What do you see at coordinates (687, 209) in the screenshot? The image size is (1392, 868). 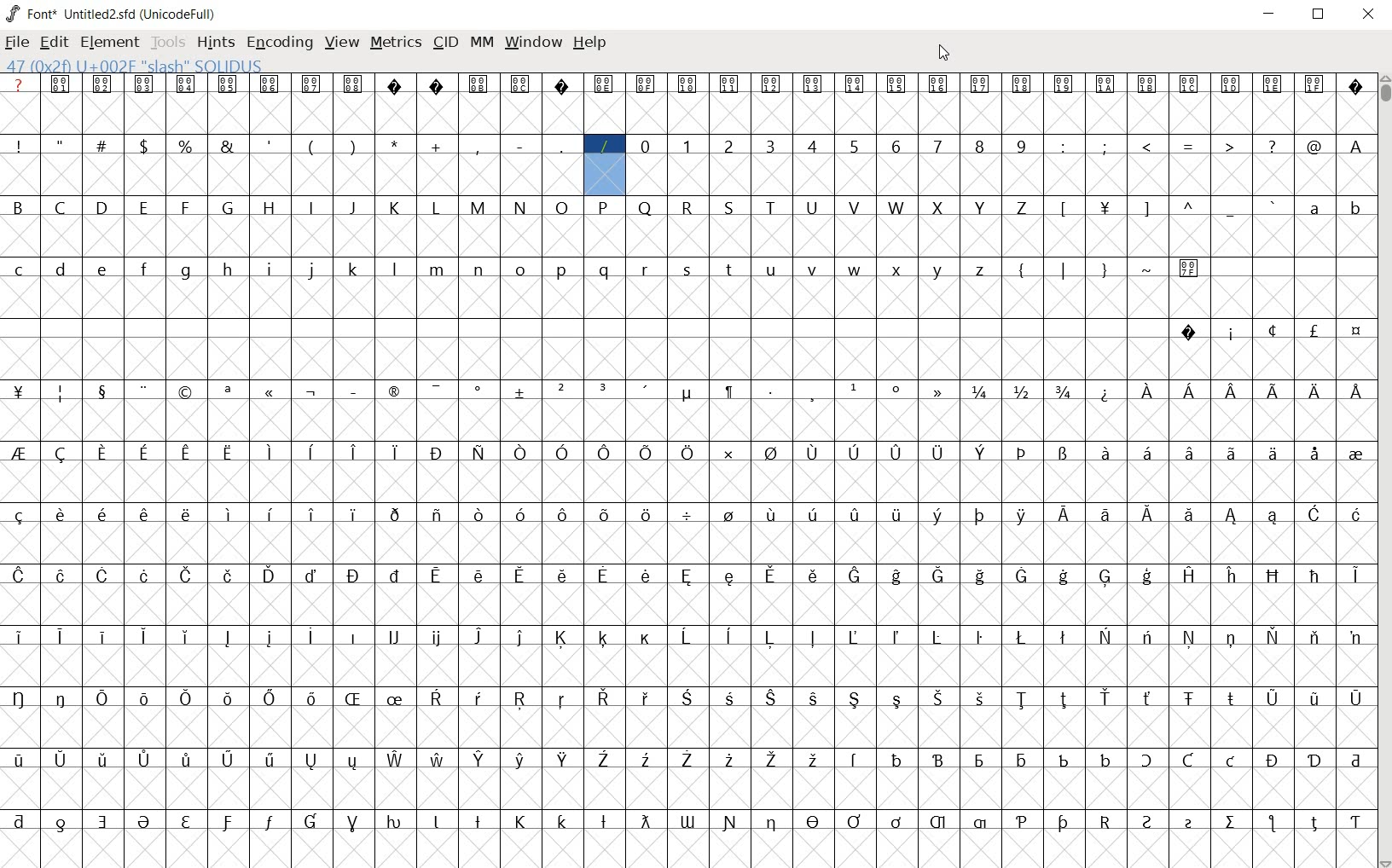 I see `glyph` at bounding box center [687, 209].